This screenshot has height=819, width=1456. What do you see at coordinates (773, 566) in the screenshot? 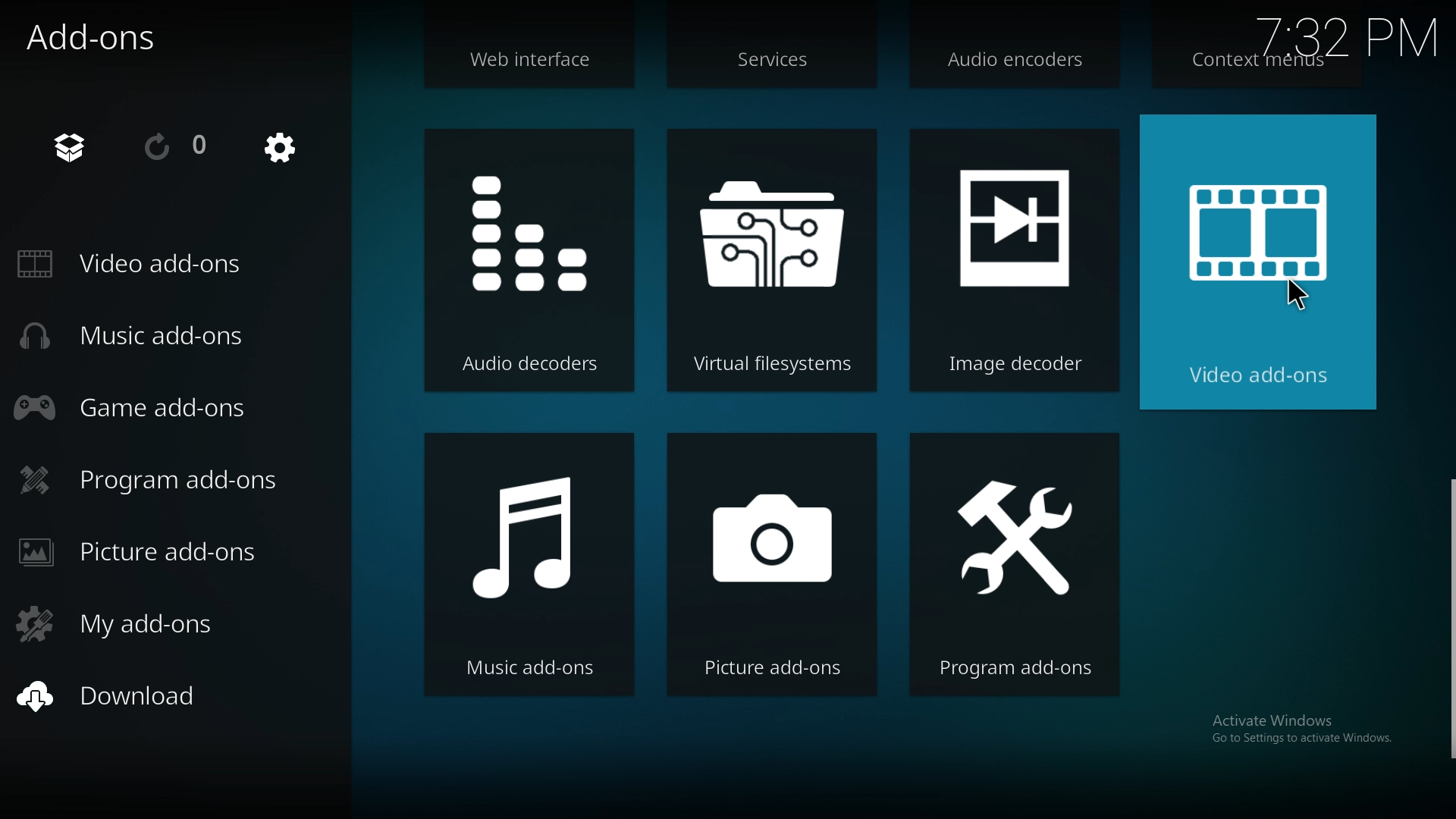
I see `picture add ons` at bounding box center [773, 566].